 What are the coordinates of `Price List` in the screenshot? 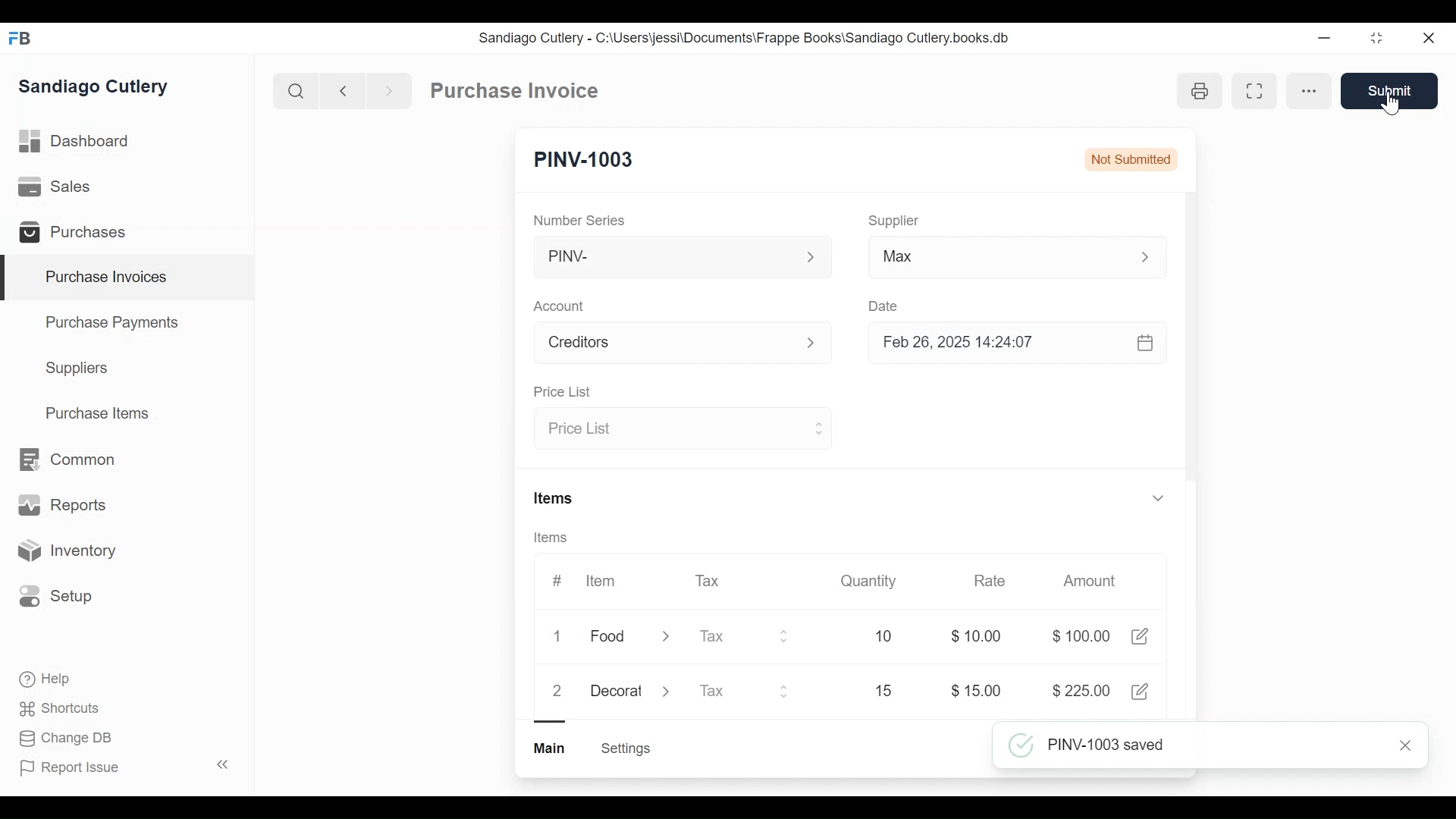 It's located at (561, 393).